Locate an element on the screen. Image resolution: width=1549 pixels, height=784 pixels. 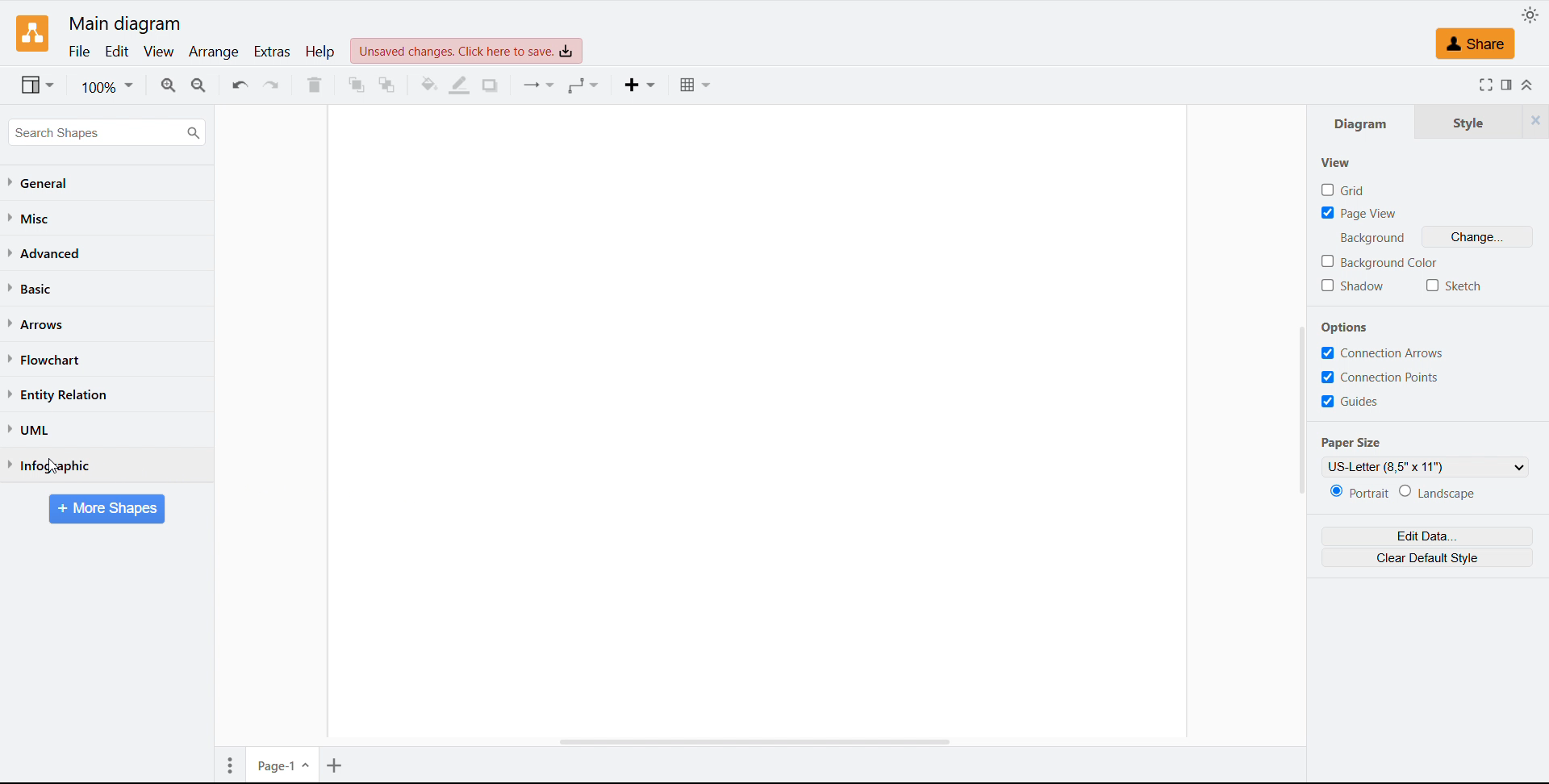
Paper size  is located at coordinates (1350, 442).